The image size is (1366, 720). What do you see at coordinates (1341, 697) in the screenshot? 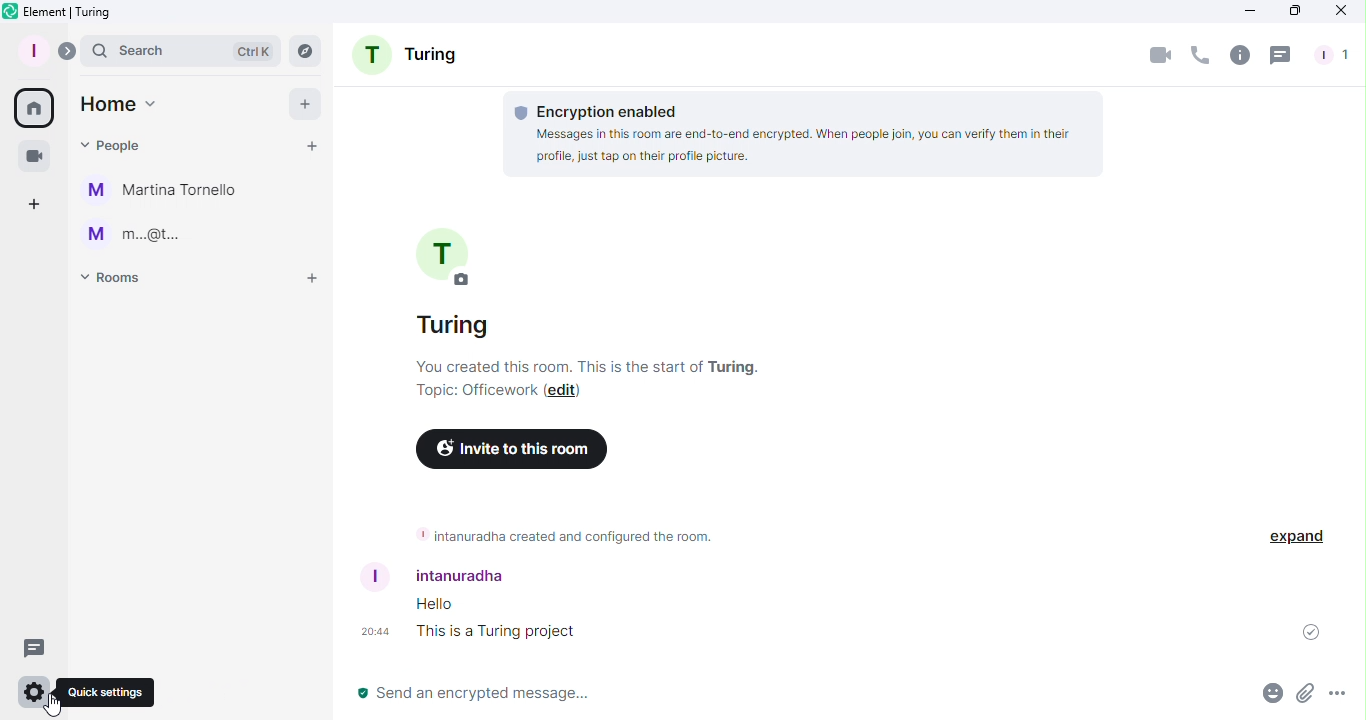
I see `More options` at bounding box center [1341, 697].